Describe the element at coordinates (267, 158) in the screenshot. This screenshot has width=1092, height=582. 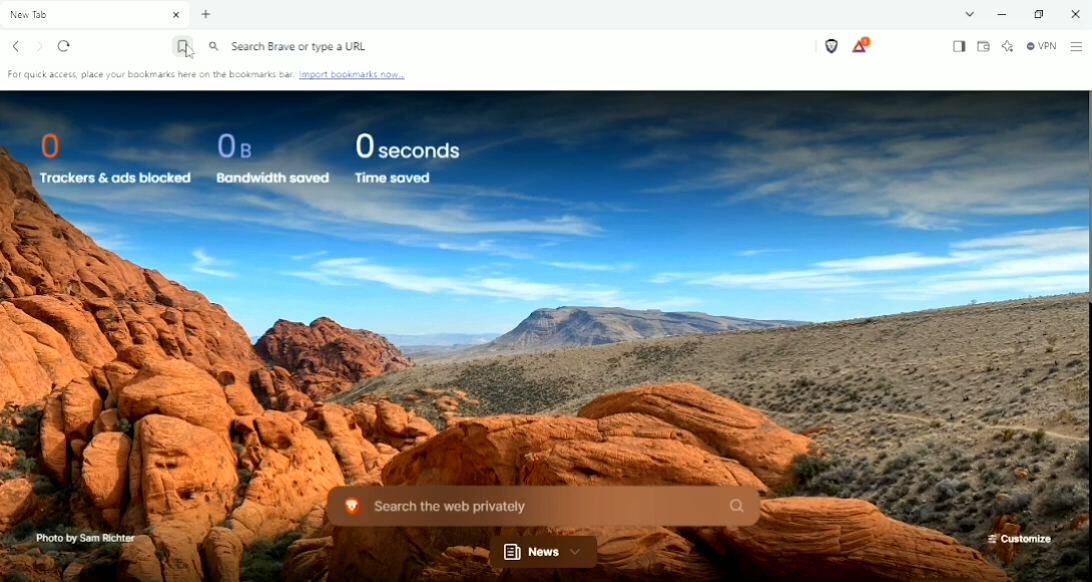
I see `0B Bandwidth saved` at that location.